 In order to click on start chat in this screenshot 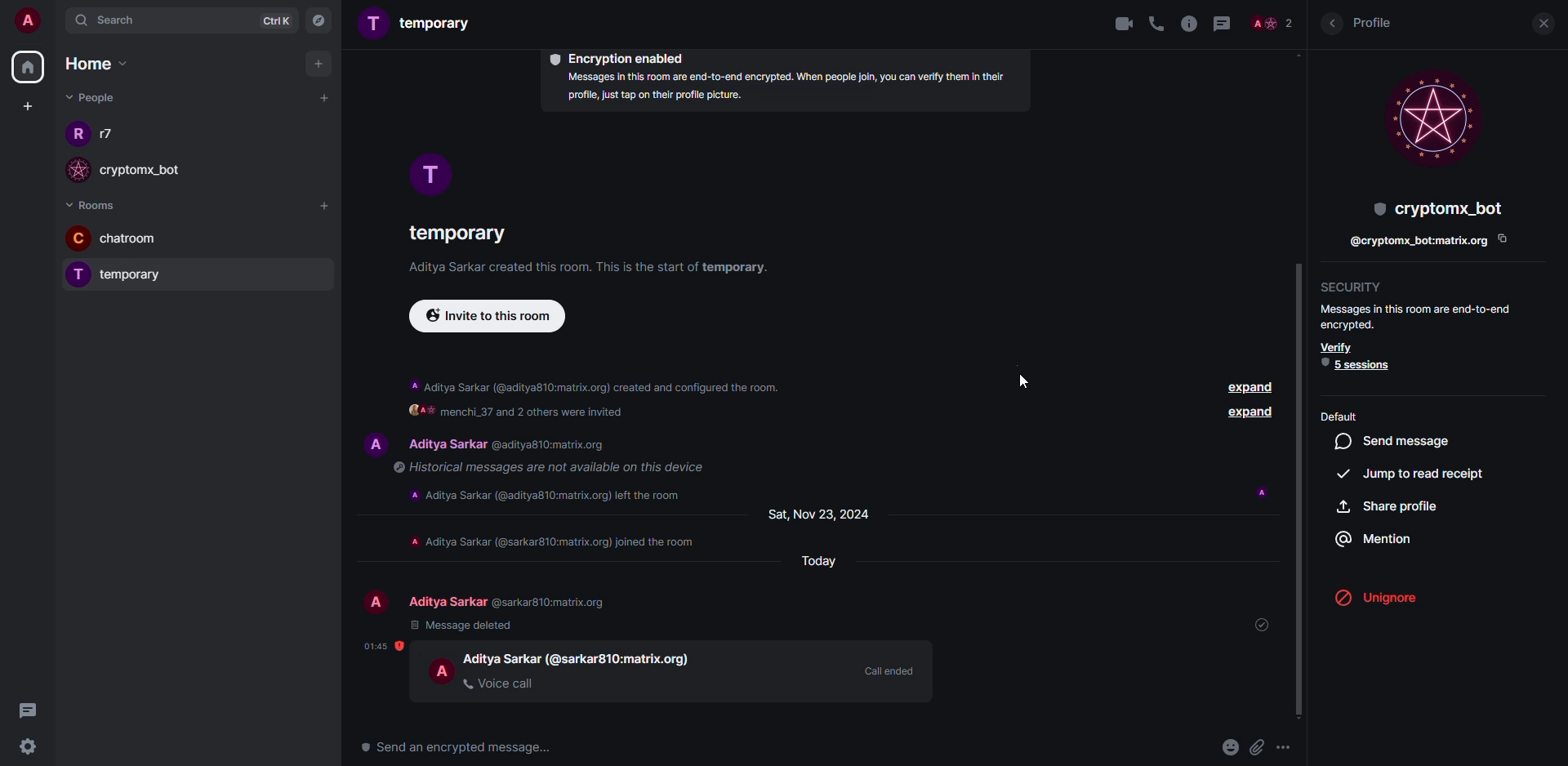, I will do `click(323, 97)`.